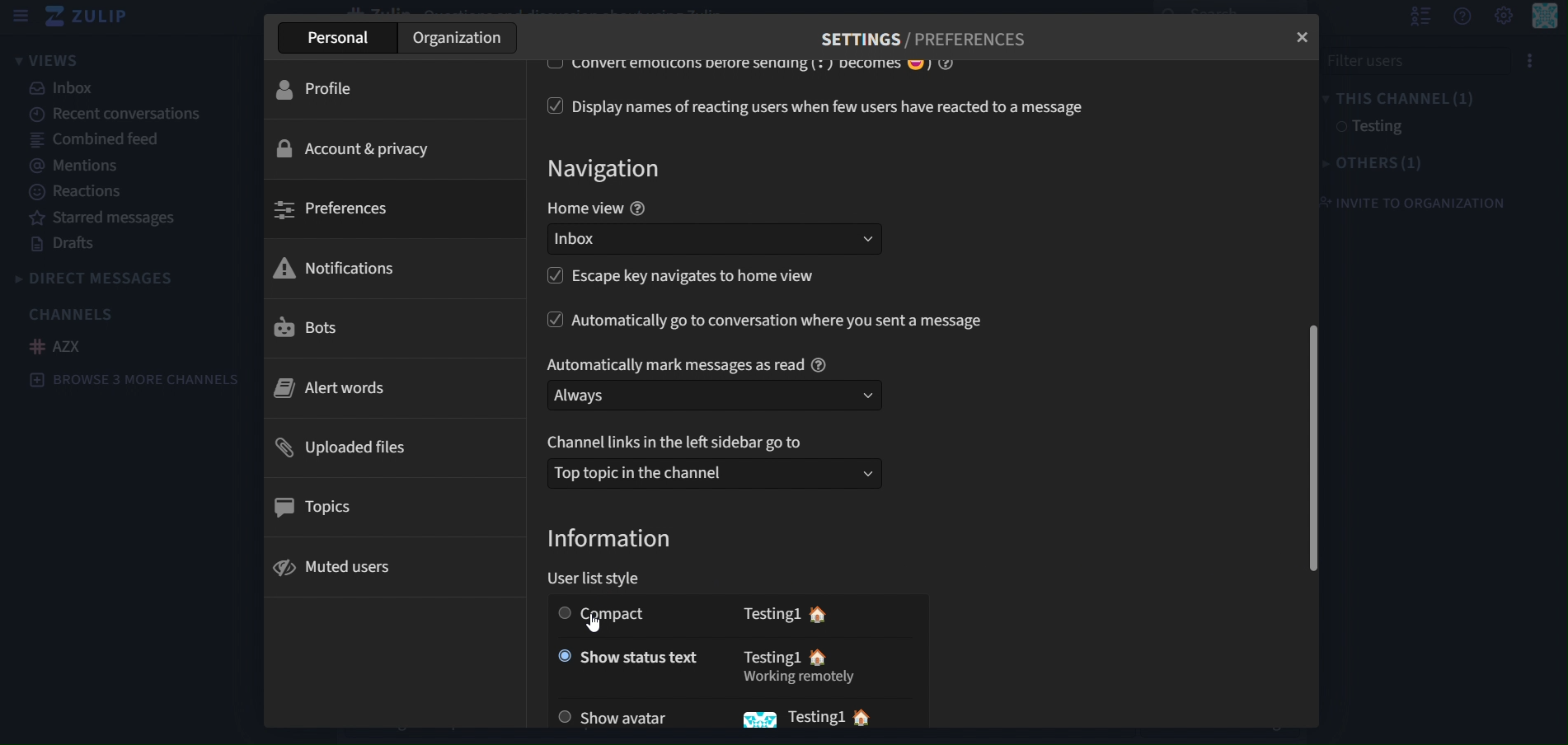 The width and height of the screenshot is (1568, 745). I want to click on topics, so click(324, 503).